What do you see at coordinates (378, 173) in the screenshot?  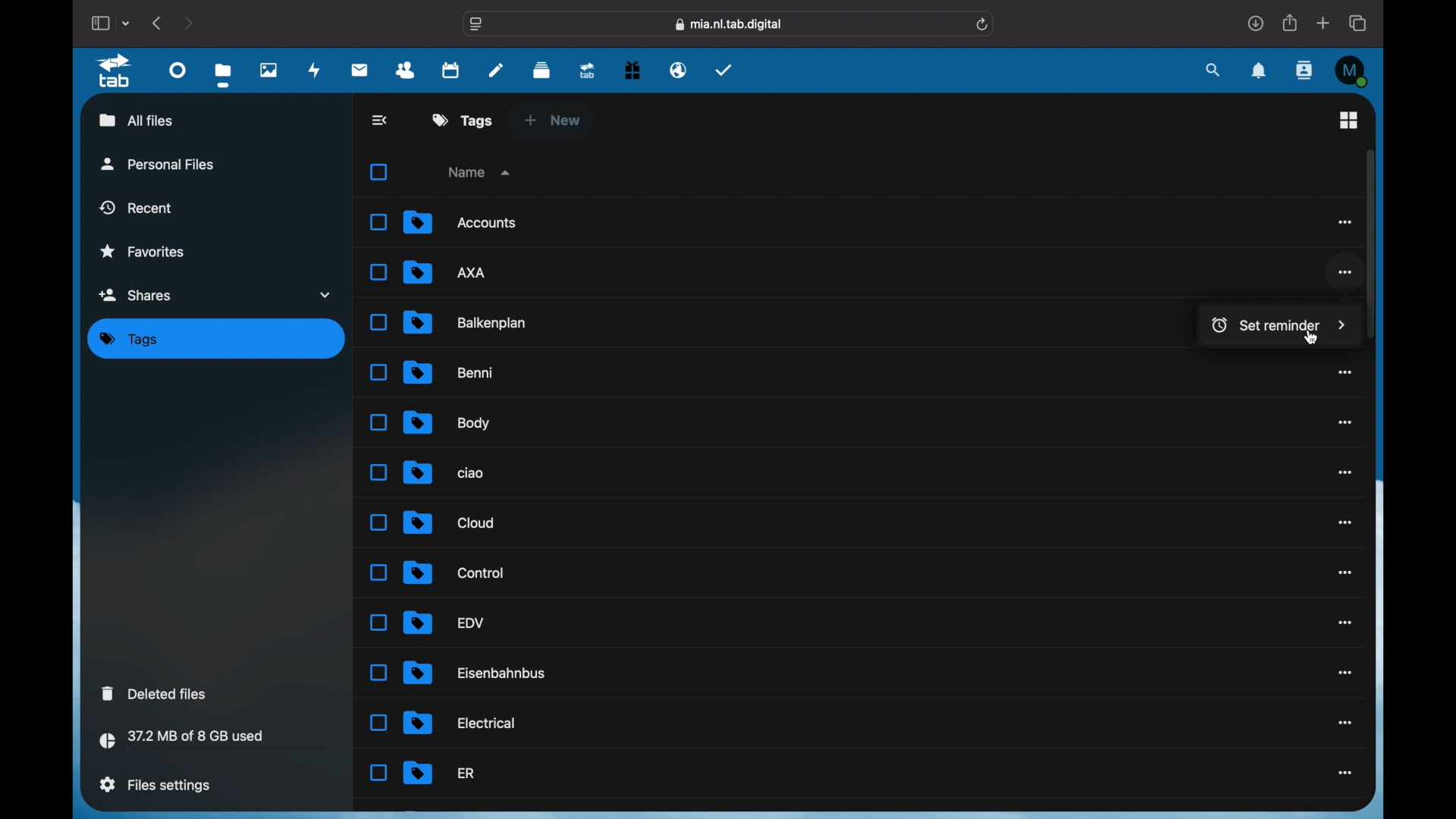 I see `Select all checkbox` at bounding box center [378, 173].